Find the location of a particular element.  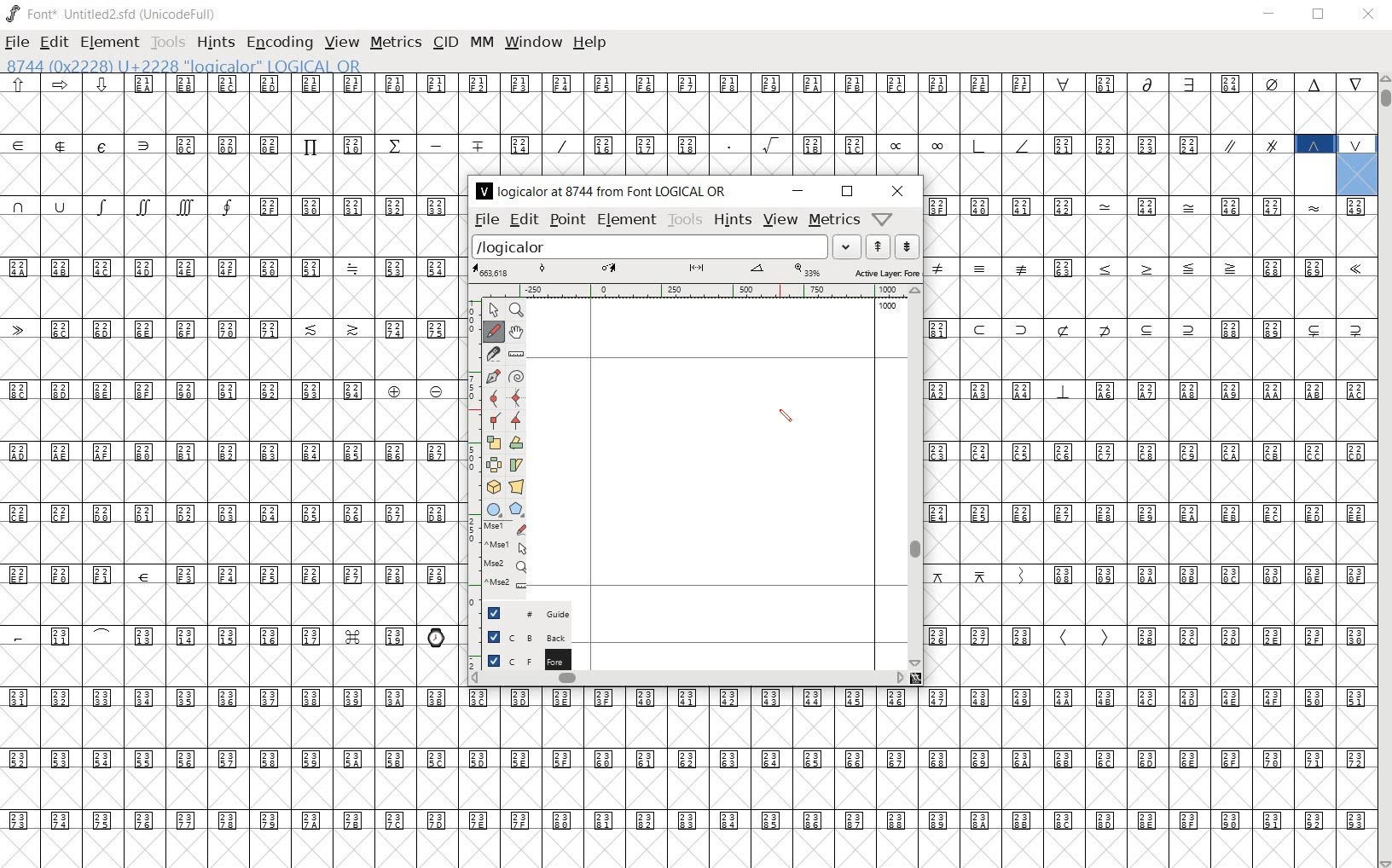

active layer: fore is located at coordinates (693, 272).